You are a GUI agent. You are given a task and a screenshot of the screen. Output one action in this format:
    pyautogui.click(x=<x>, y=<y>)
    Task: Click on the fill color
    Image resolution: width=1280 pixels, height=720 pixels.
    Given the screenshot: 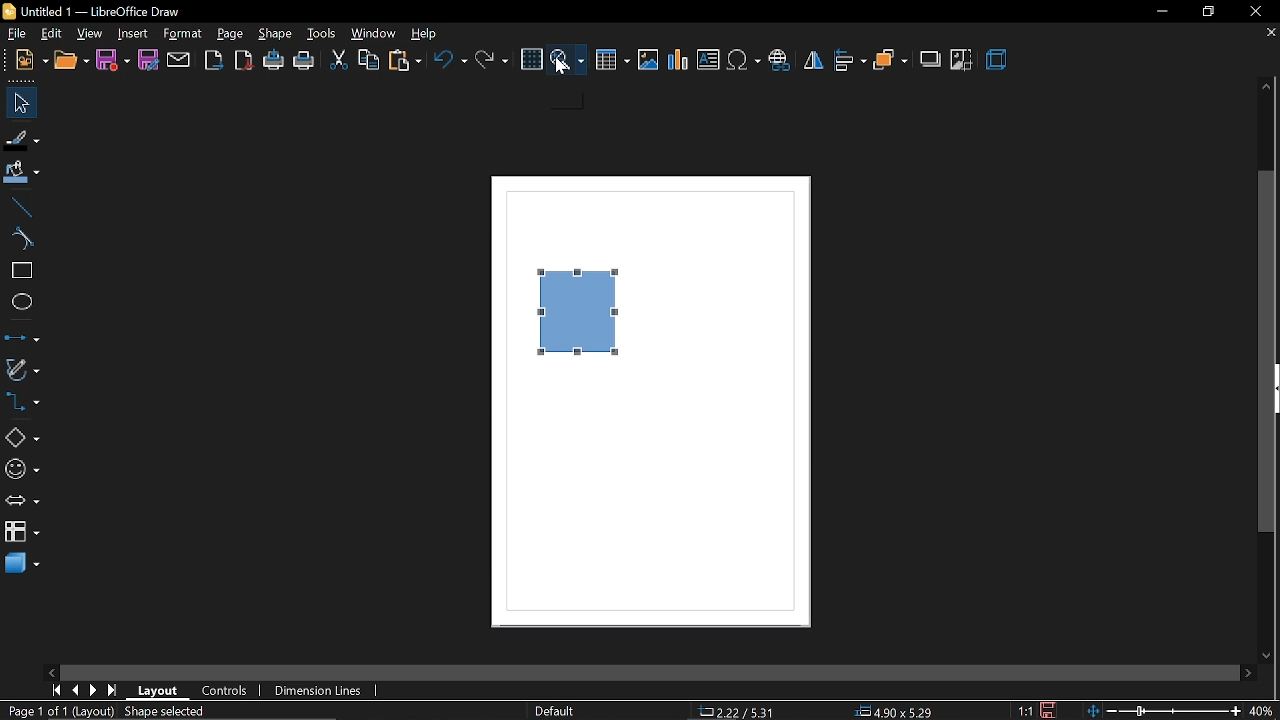 What is the action you would take?
    pyautogui.click(x=21, y=171)
    